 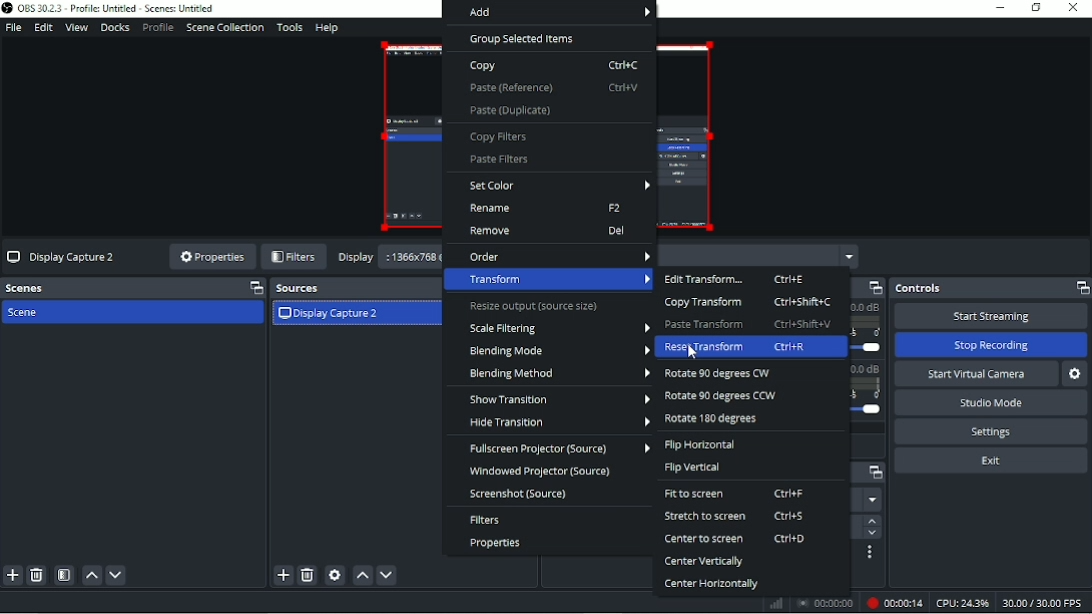 I want to click on Add, so click(x=549, y=13).